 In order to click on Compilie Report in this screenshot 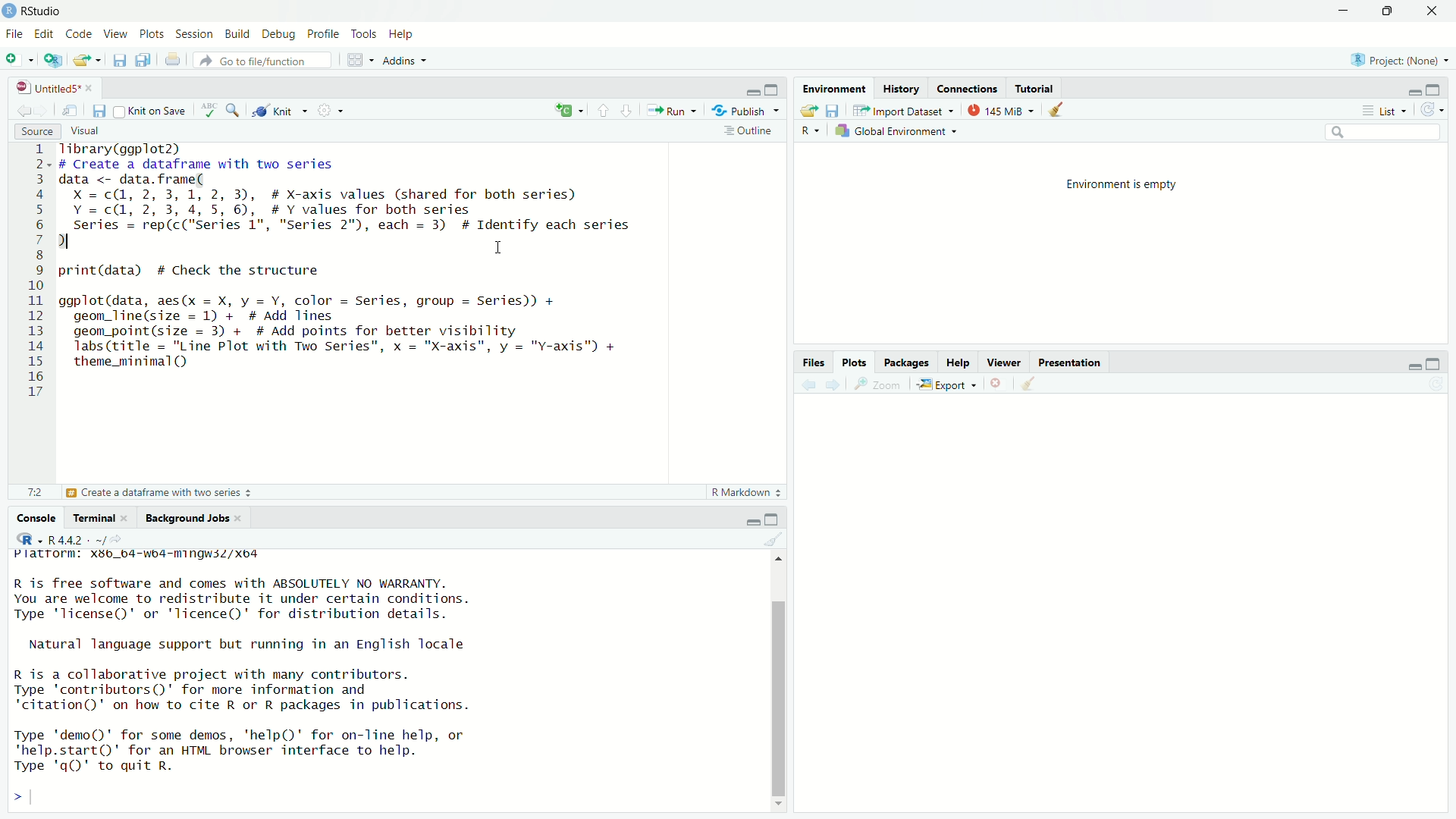, I will do `click(332, 111)`.